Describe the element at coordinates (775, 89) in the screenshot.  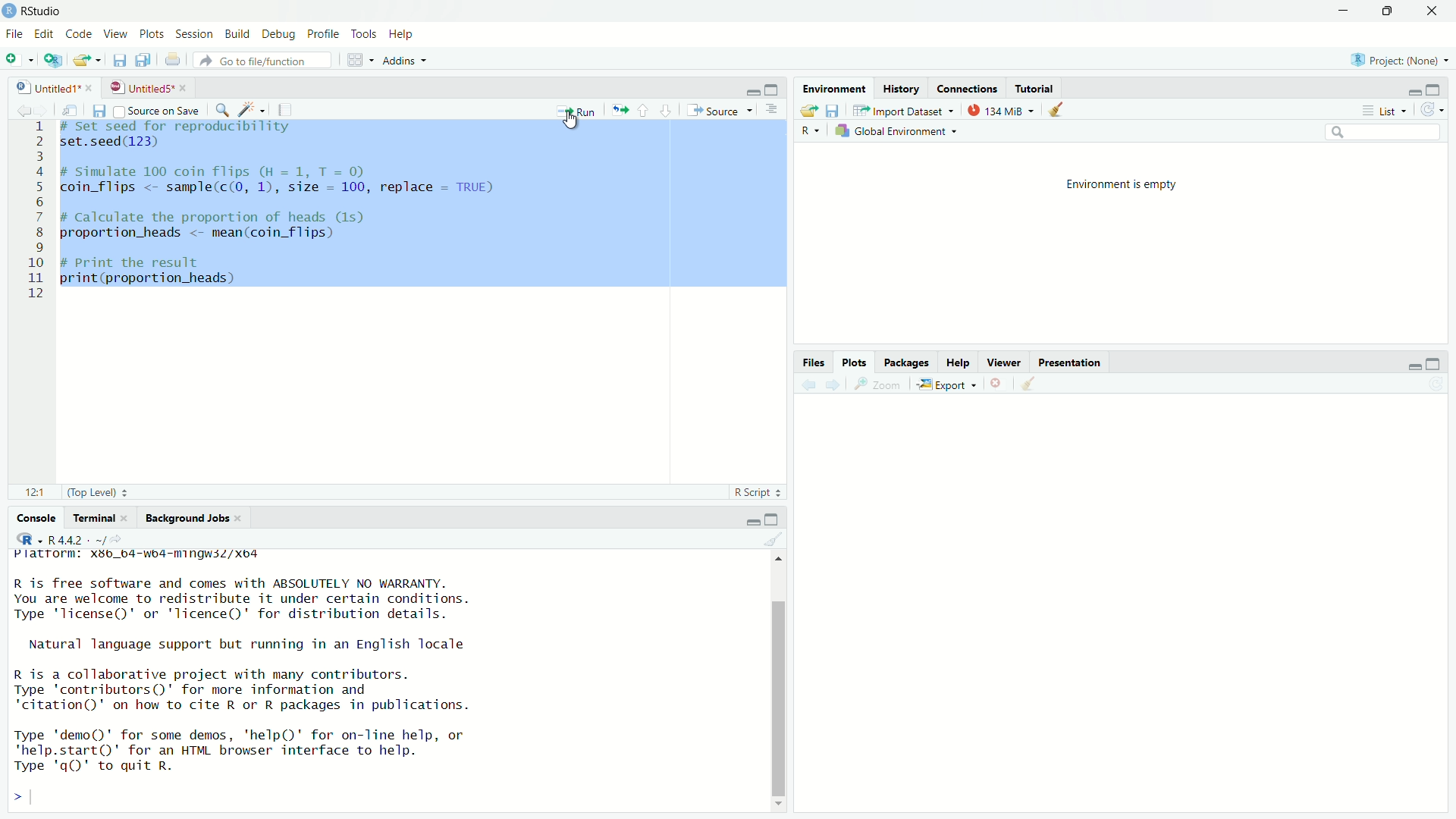
I see `maximize` at that location.